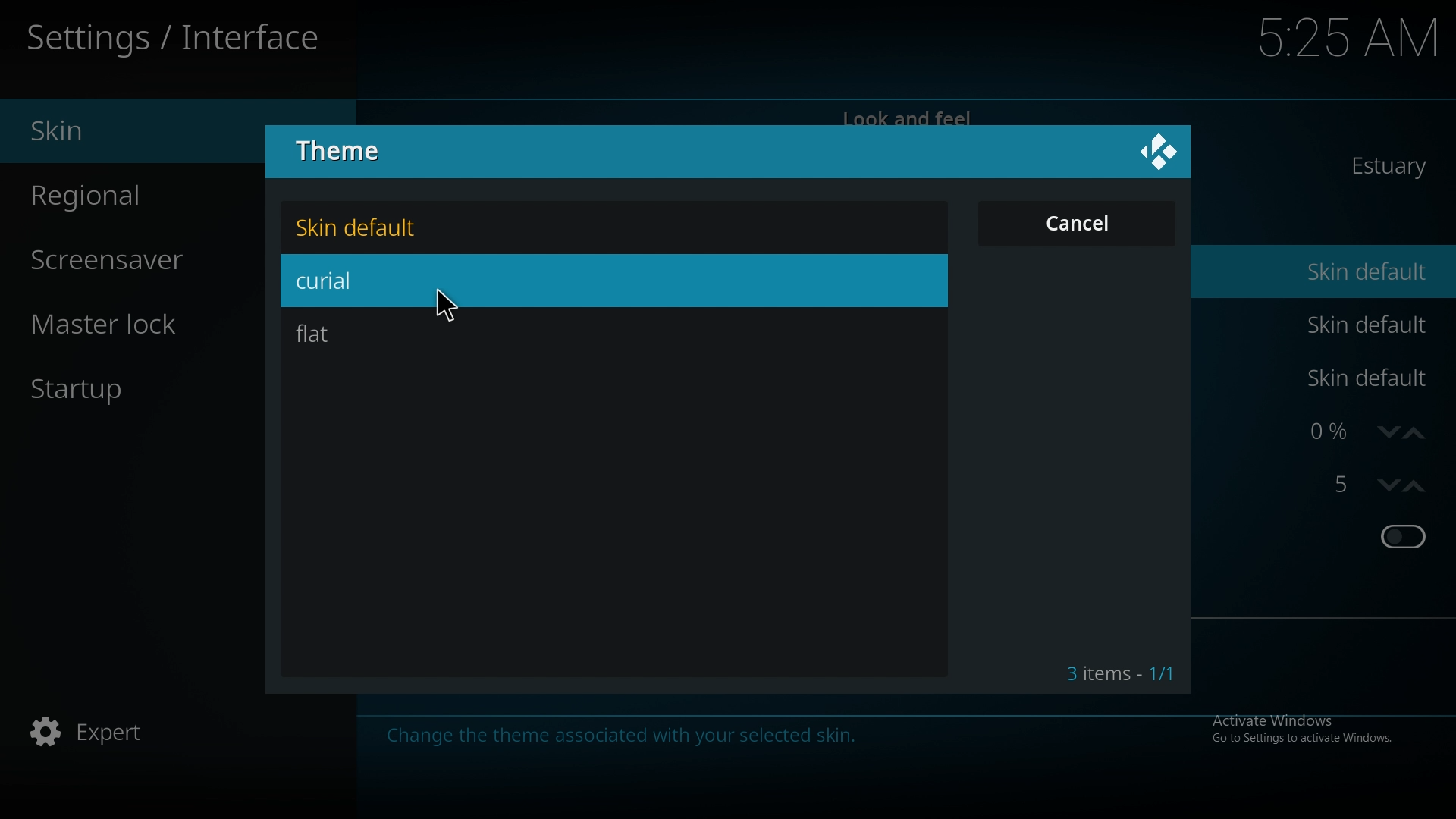  Describe the element at coordinates (1414, 431) in the screenshot. I see `increase zoom` at that location.